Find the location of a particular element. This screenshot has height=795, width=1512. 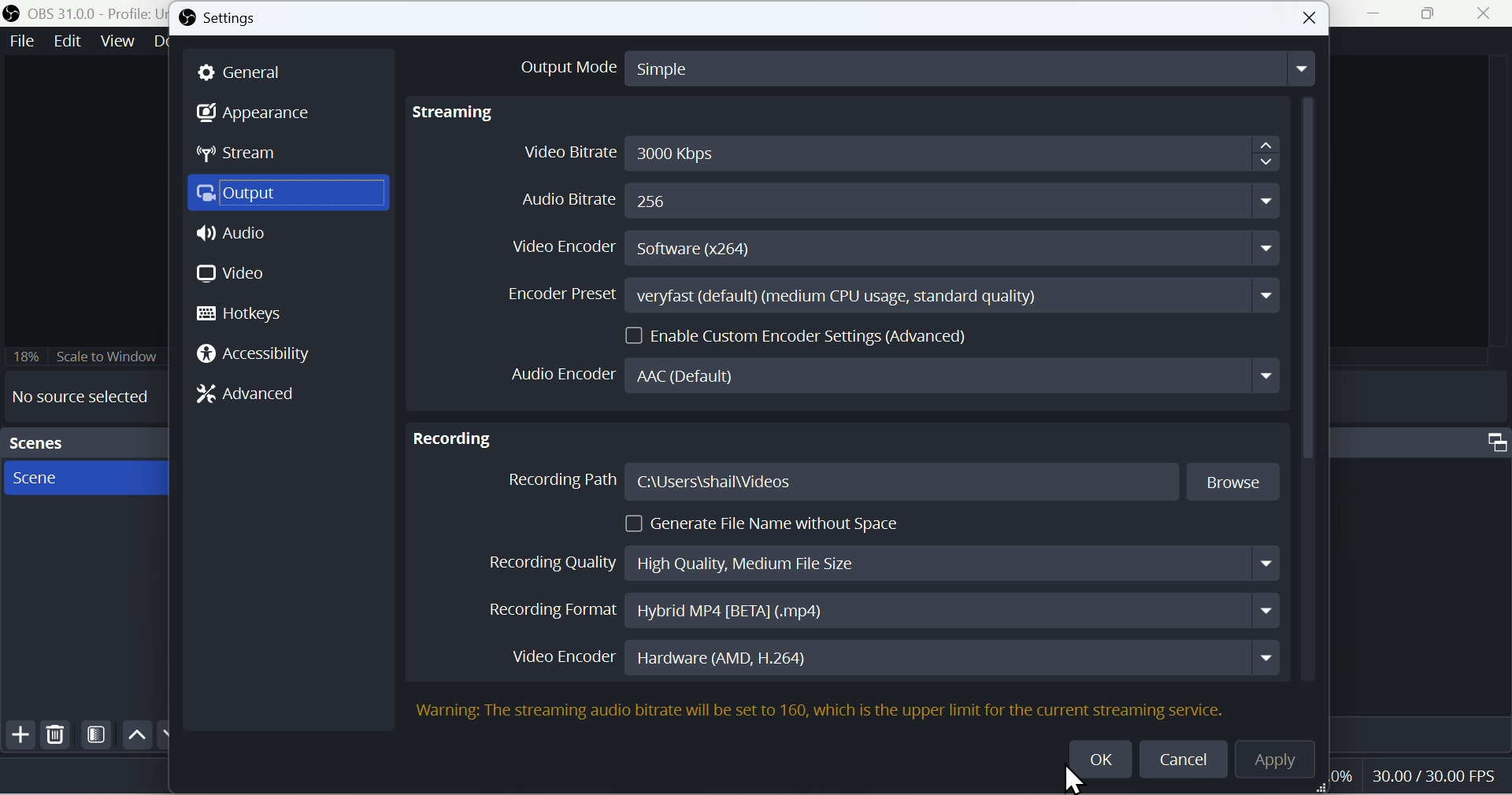

Edit is located at coordinates (66, 43).